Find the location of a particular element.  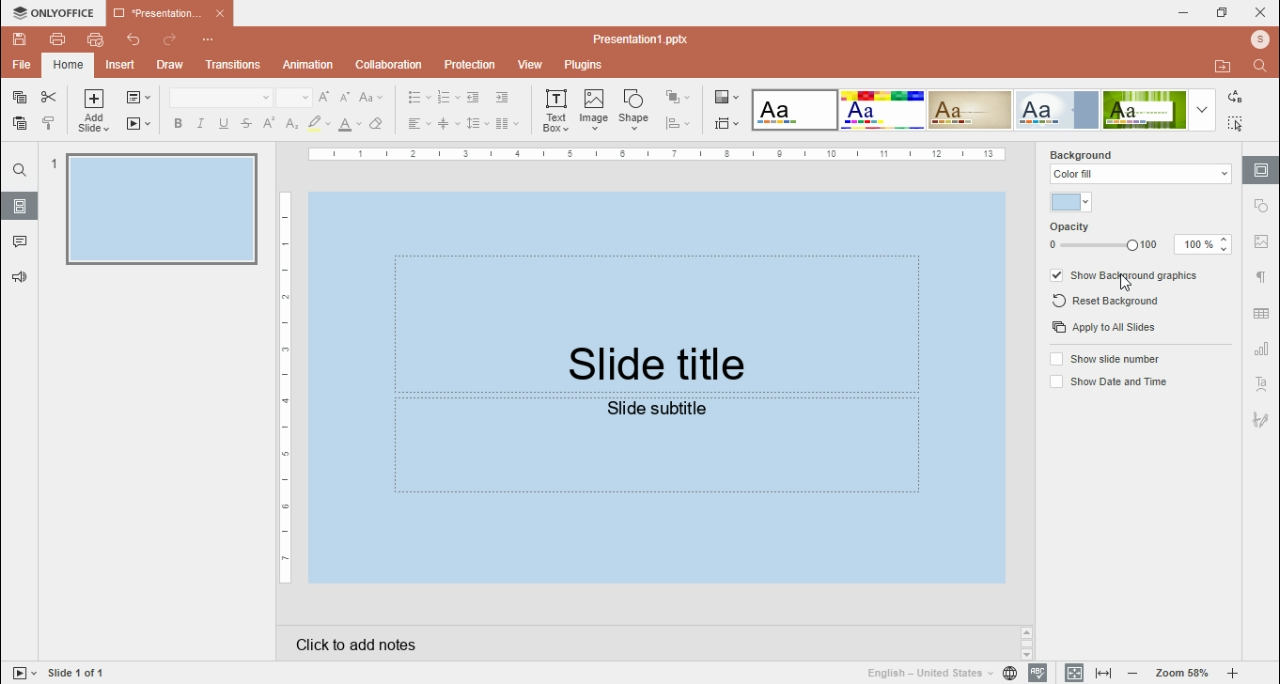

language is located at coordinates (927, 673).